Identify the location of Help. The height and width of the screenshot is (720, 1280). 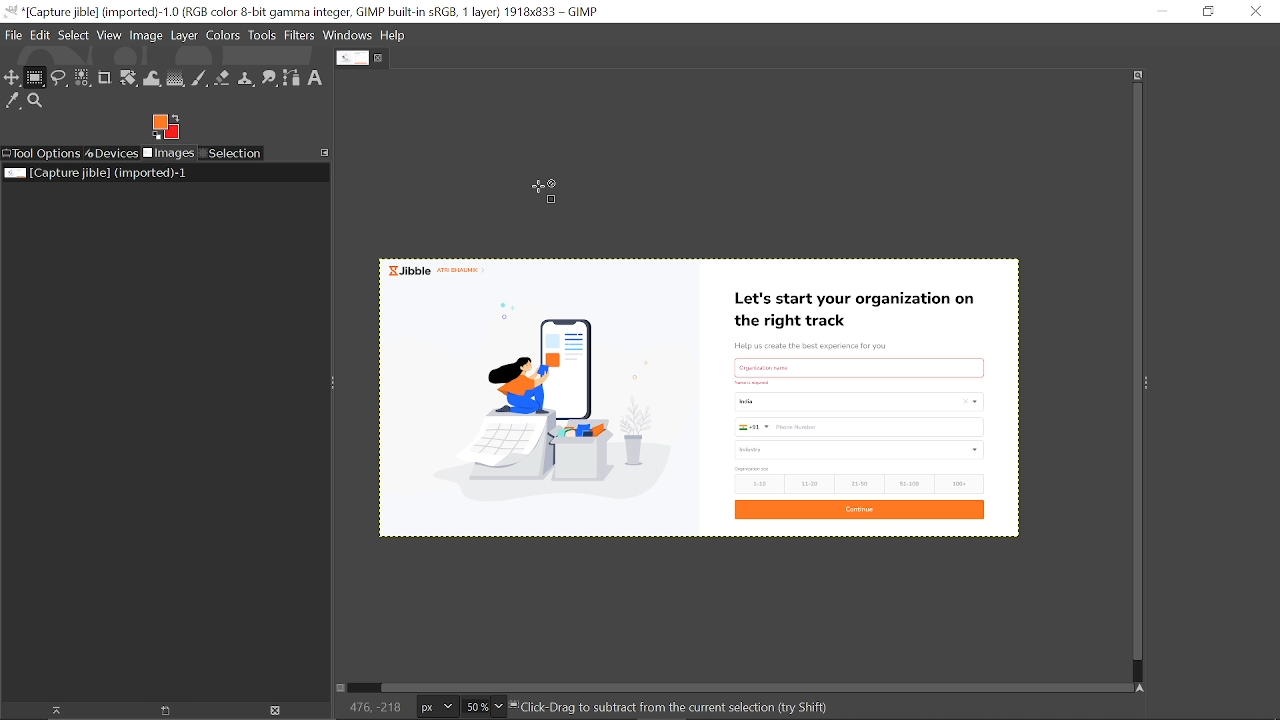
(394, 36).